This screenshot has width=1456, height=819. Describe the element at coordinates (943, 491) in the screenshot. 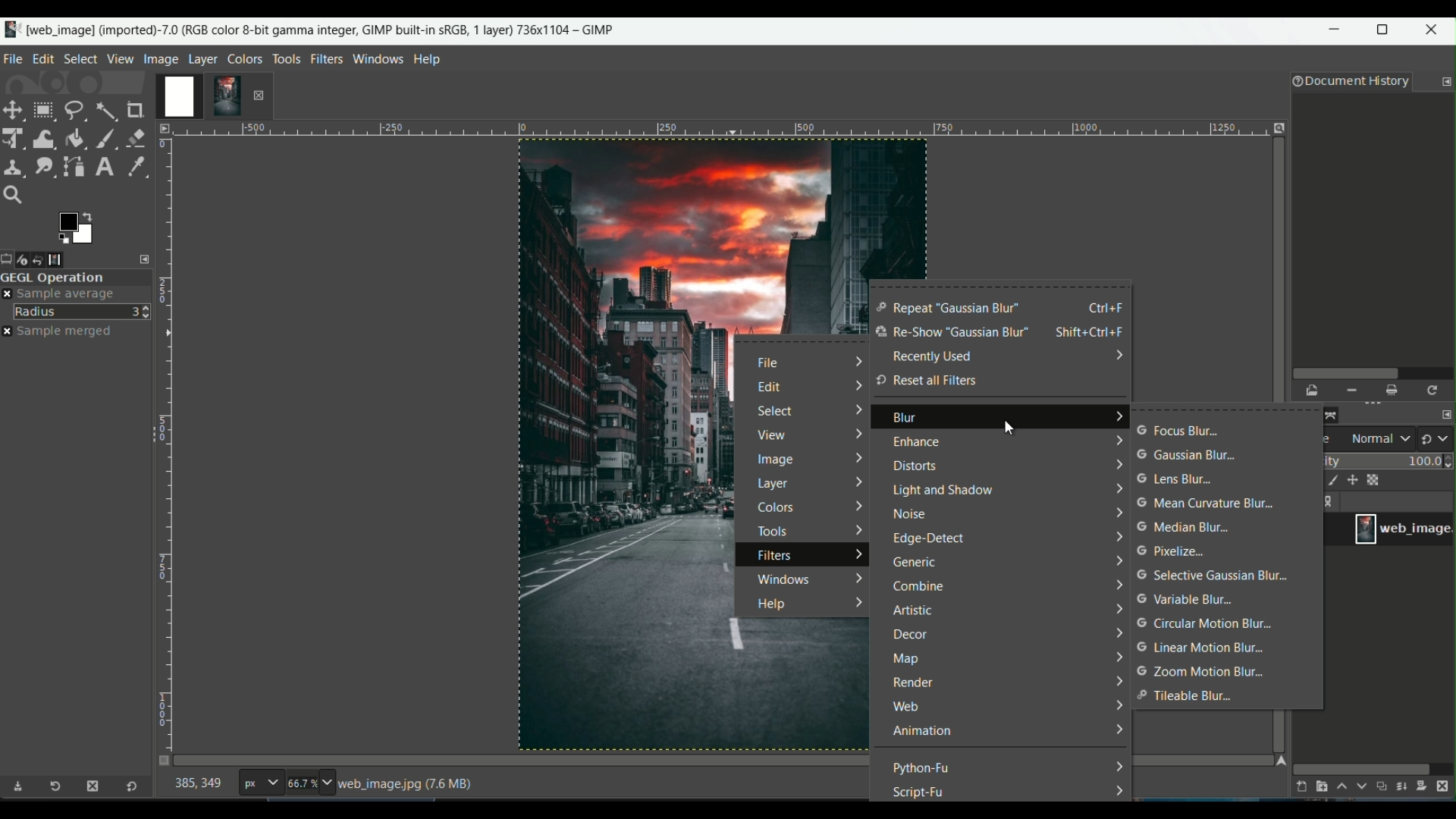

I see `light and shadow` at that location.